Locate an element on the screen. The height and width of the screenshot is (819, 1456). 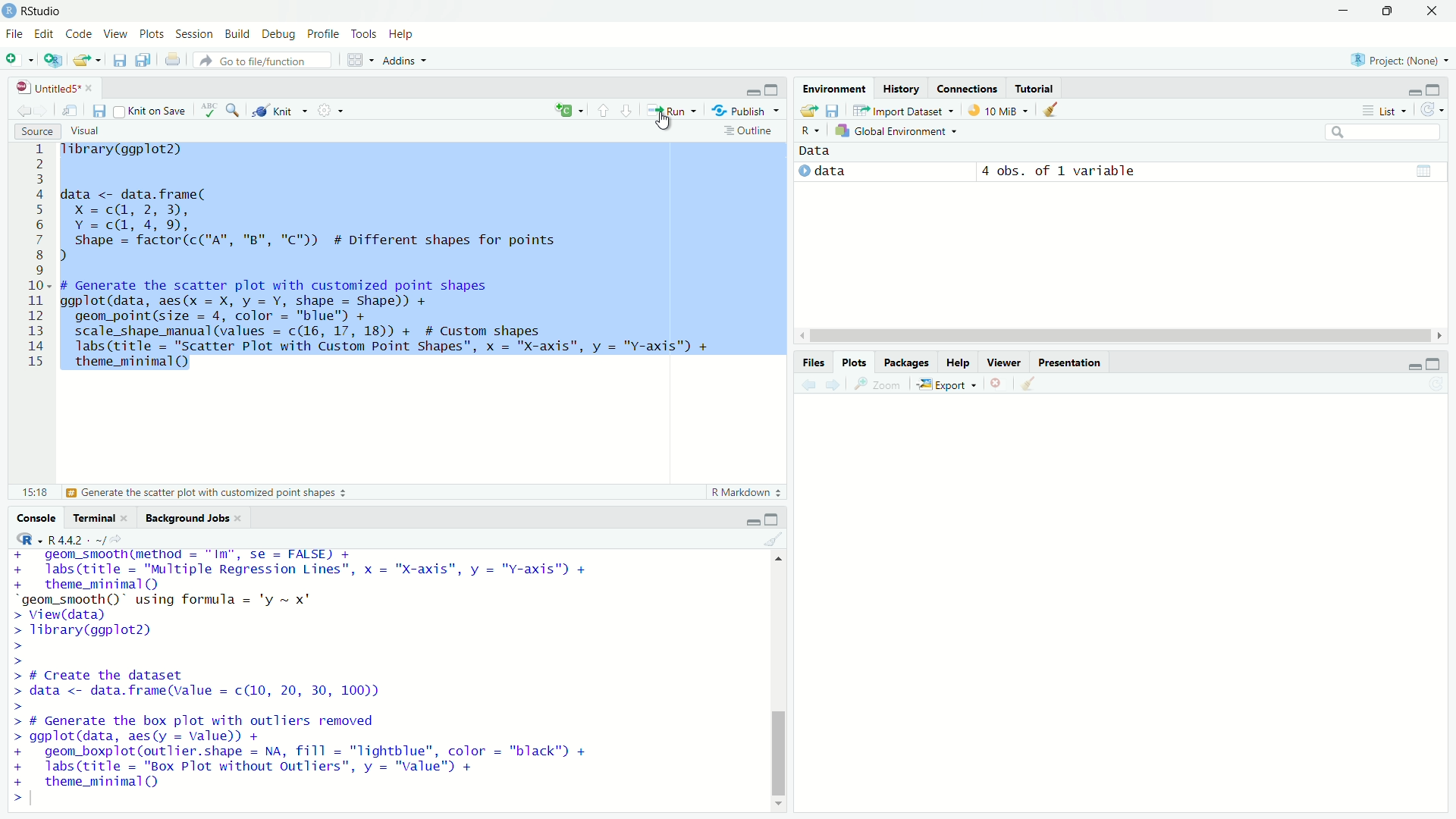
RStudio is located at coordinates (33, 10).